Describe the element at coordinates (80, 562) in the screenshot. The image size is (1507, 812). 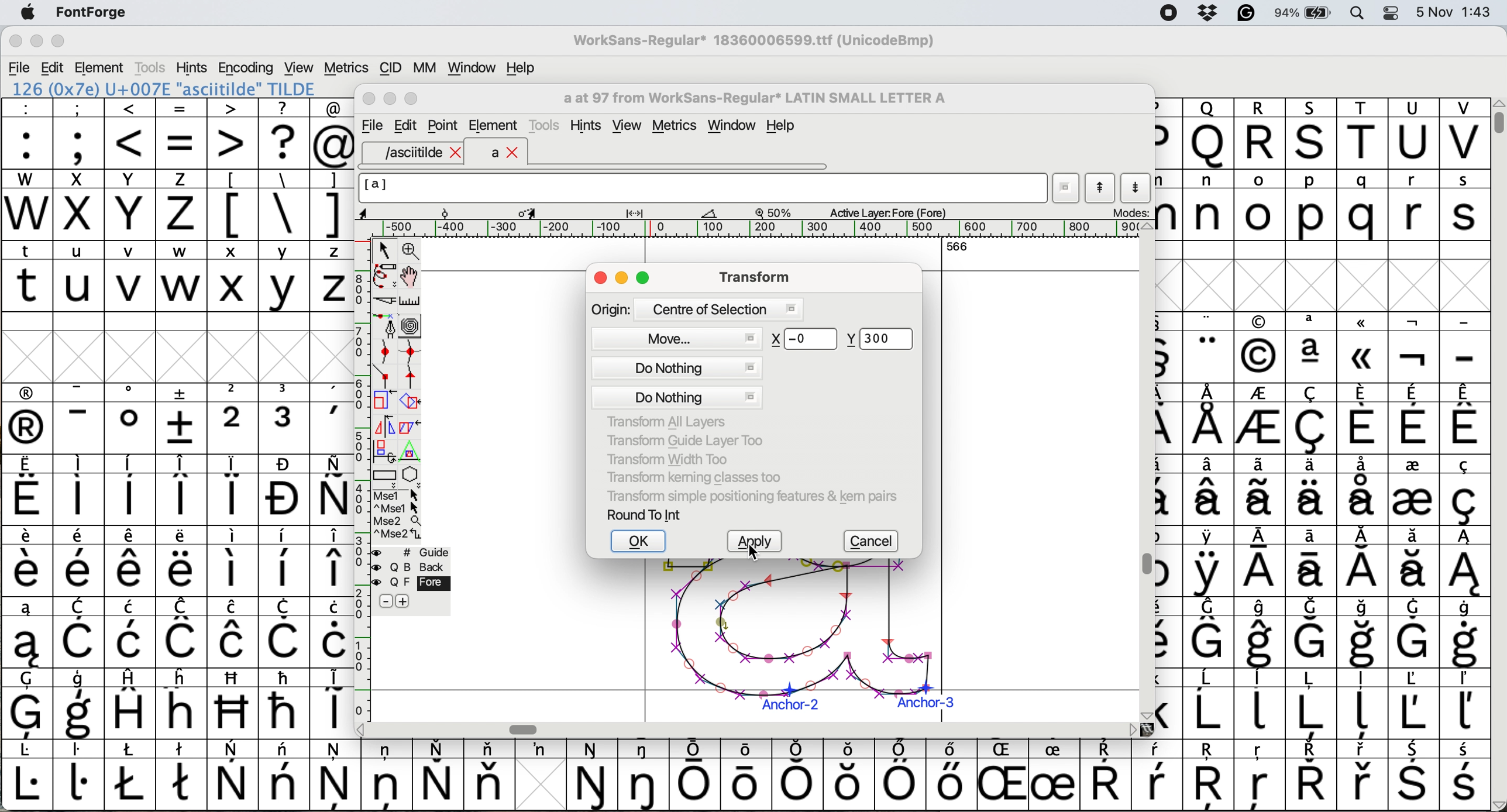
I see `symbol` at that location.